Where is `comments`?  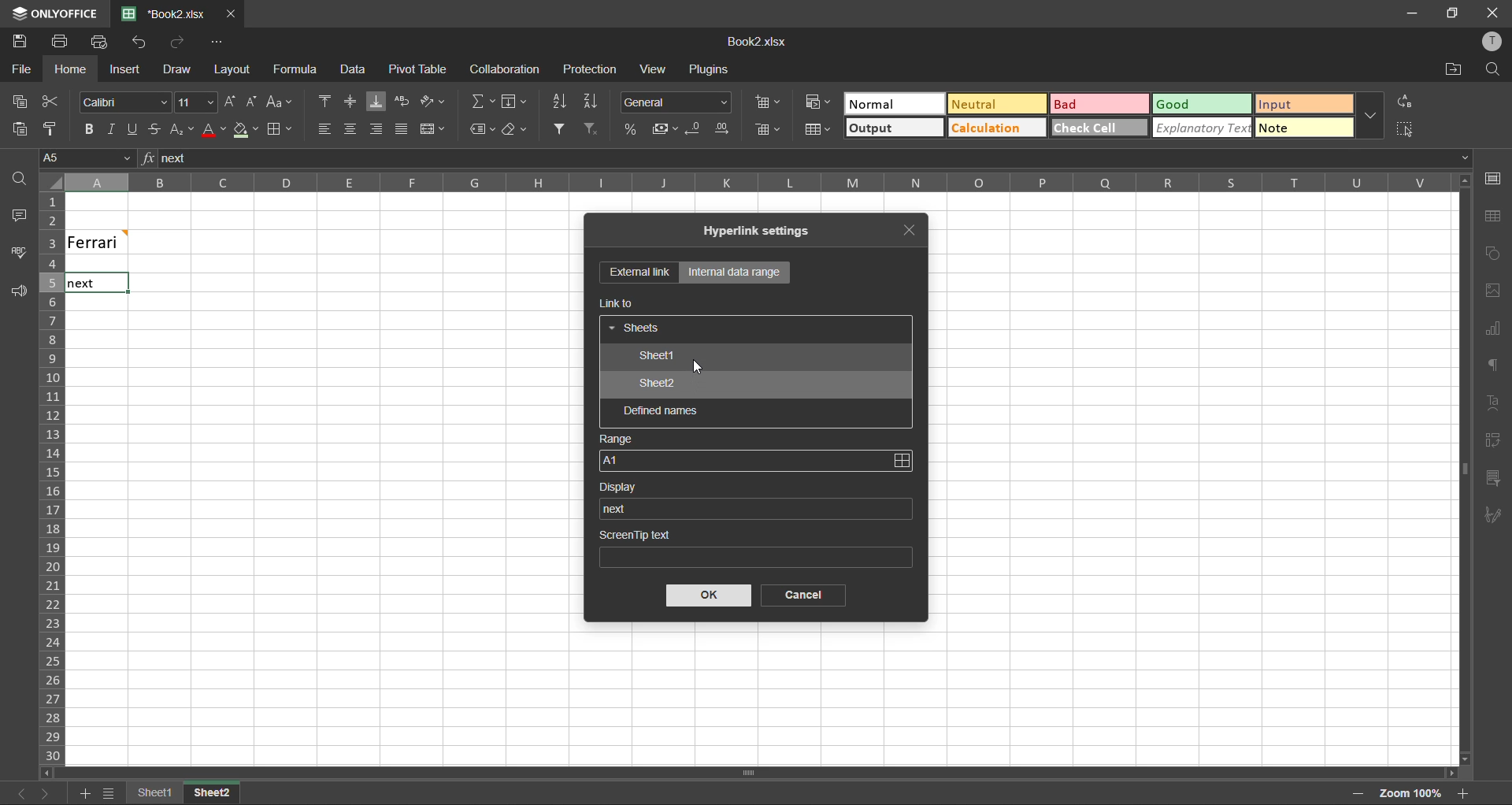
comments is located at coordinates (16, 215).